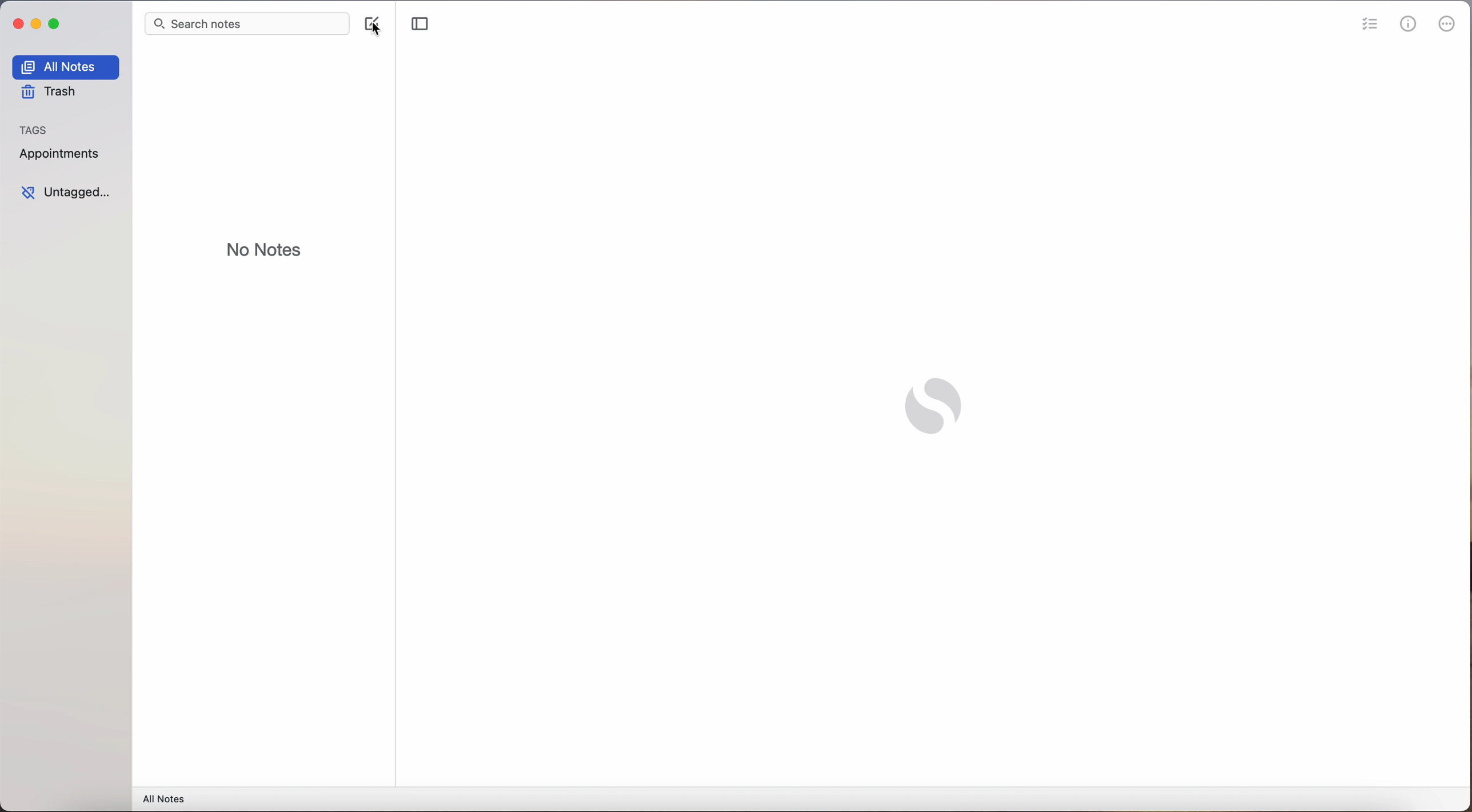 The image size is (1472, 812). Describe the element at coordinates (374, 26) in the screenshot. I see `click on create note` at that location.